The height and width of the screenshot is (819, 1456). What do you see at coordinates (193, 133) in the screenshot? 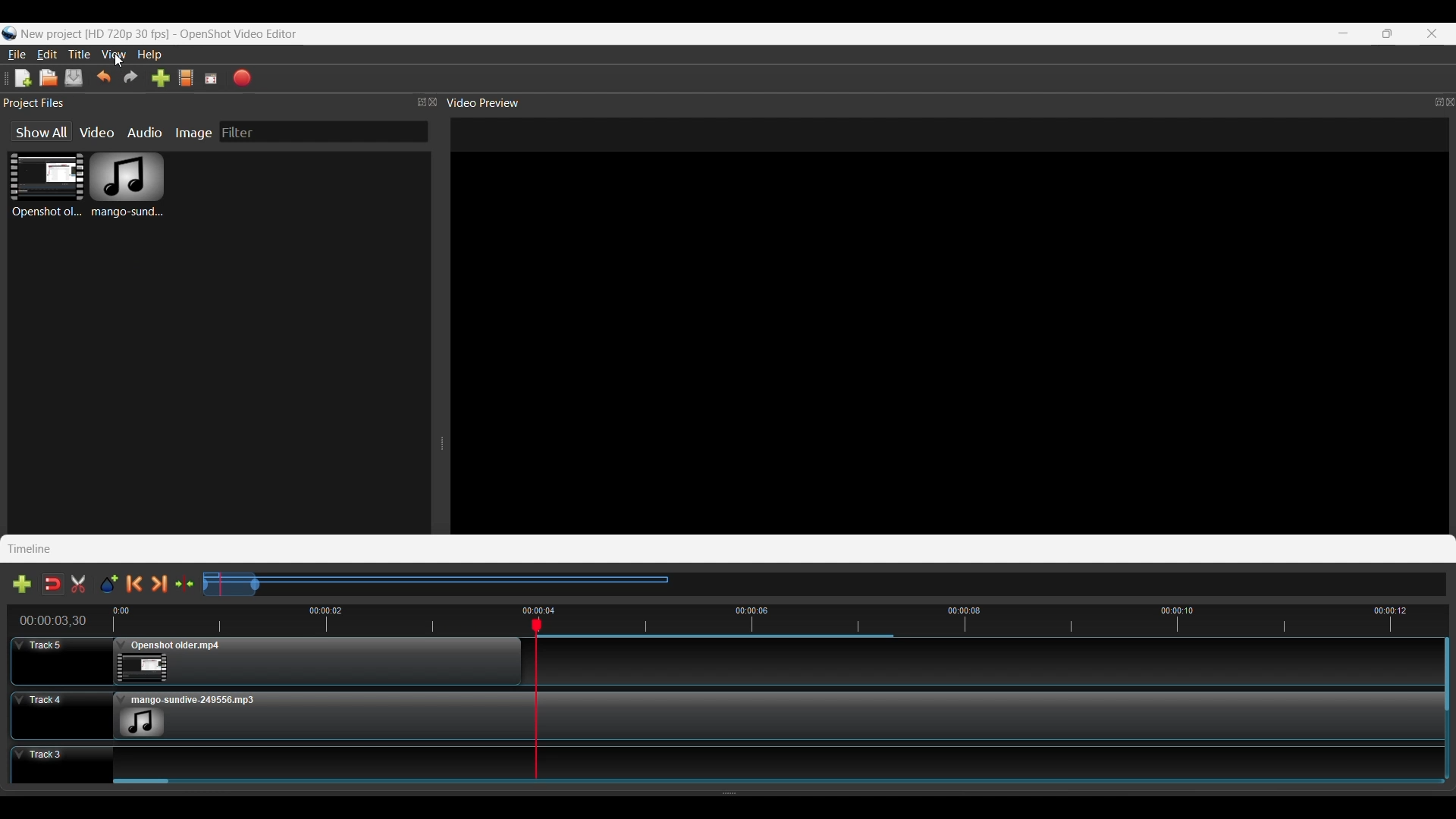
I see `Image` at bounding box center [193, 133].